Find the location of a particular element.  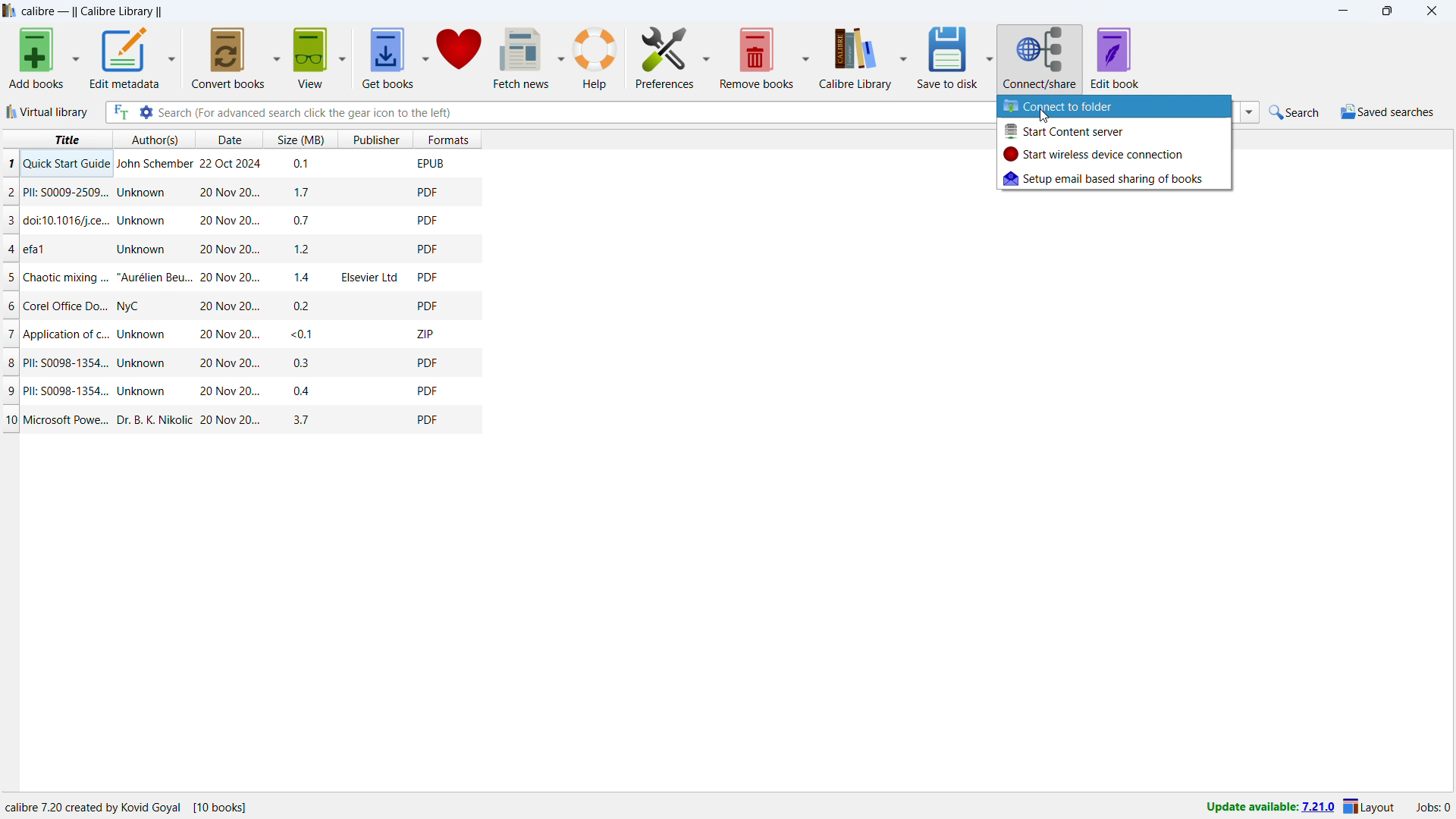

connect to folder is located at coordinates (1114, 106).